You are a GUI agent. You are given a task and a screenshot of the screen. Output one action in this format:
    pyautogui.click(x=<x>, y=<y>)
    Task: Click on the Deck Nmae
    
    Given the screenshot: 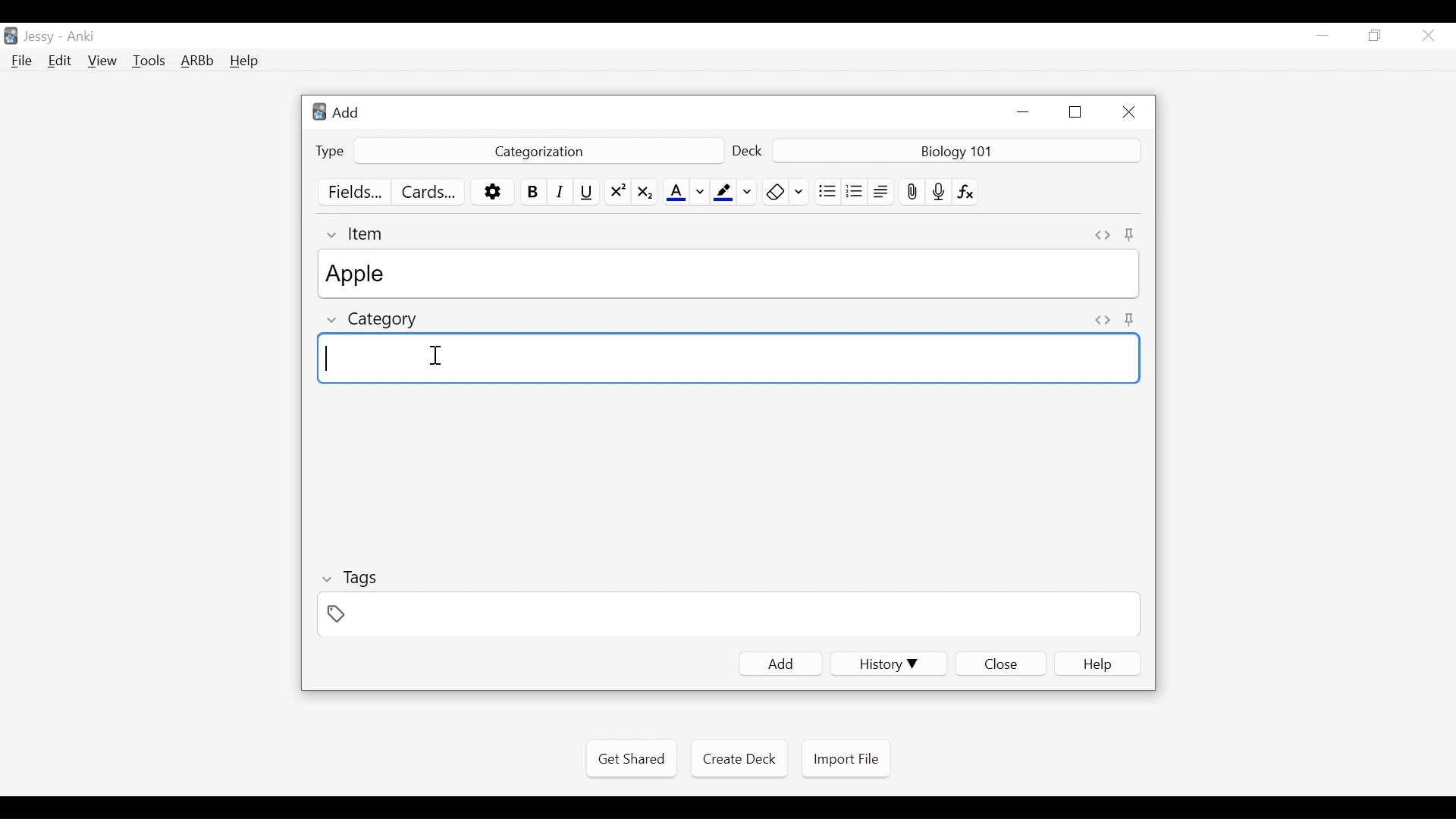 What is the action you would take?
    pyautogui.click(x=958, y=152)
    